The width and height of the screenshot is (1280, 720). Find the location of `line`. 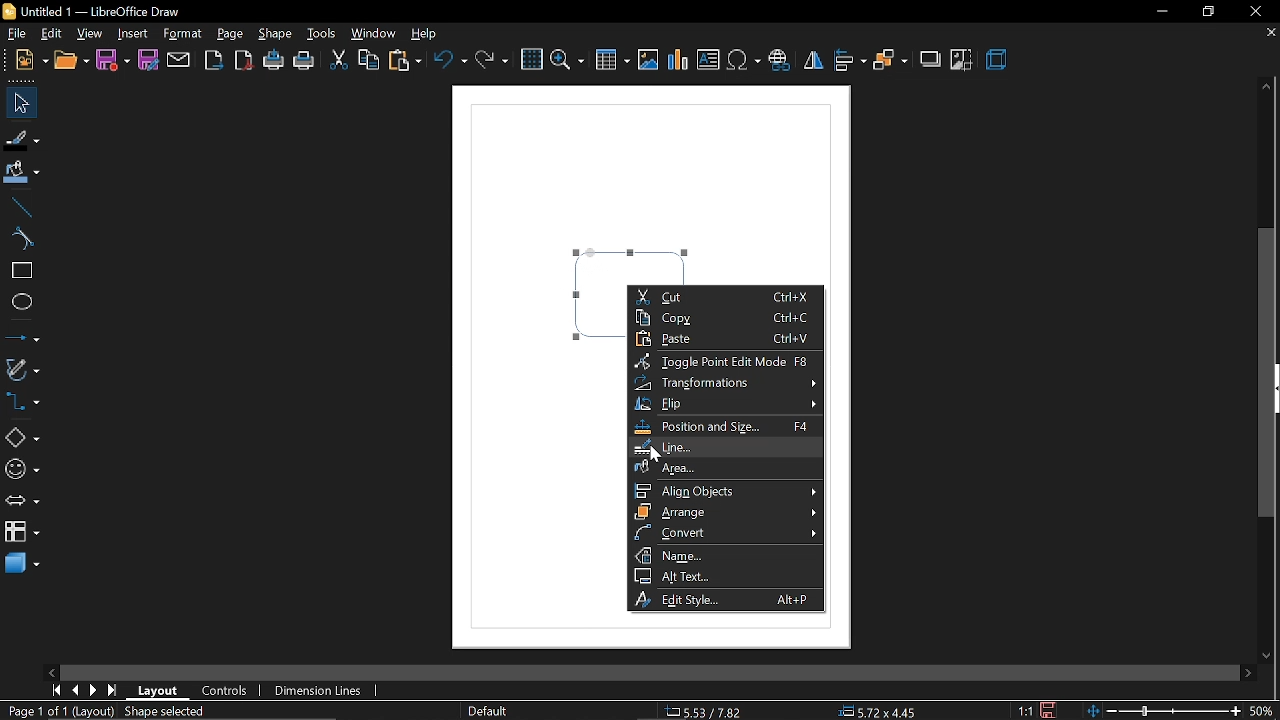

line is located at coordinates (722, 447).